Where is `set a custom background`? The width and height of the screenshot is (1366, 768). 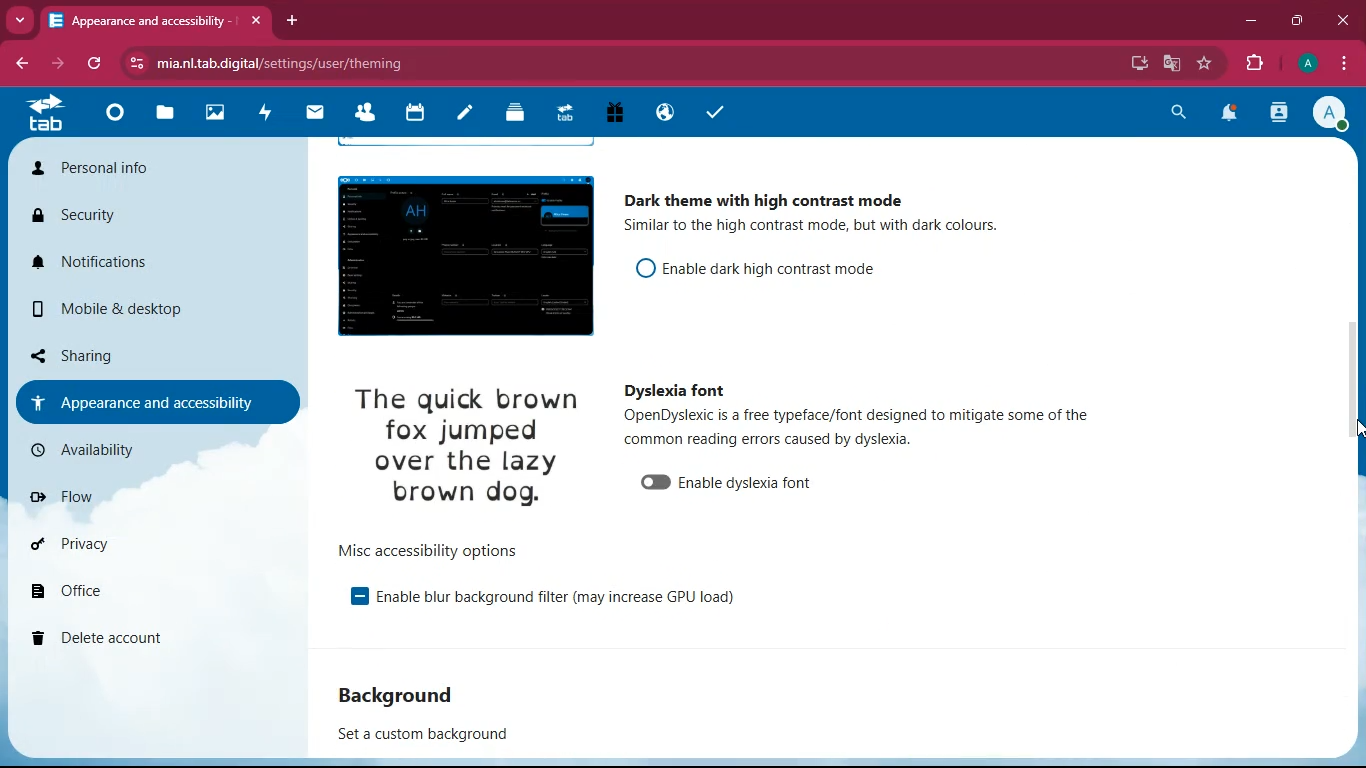 set a custom background is located at coordinates (427, 737).